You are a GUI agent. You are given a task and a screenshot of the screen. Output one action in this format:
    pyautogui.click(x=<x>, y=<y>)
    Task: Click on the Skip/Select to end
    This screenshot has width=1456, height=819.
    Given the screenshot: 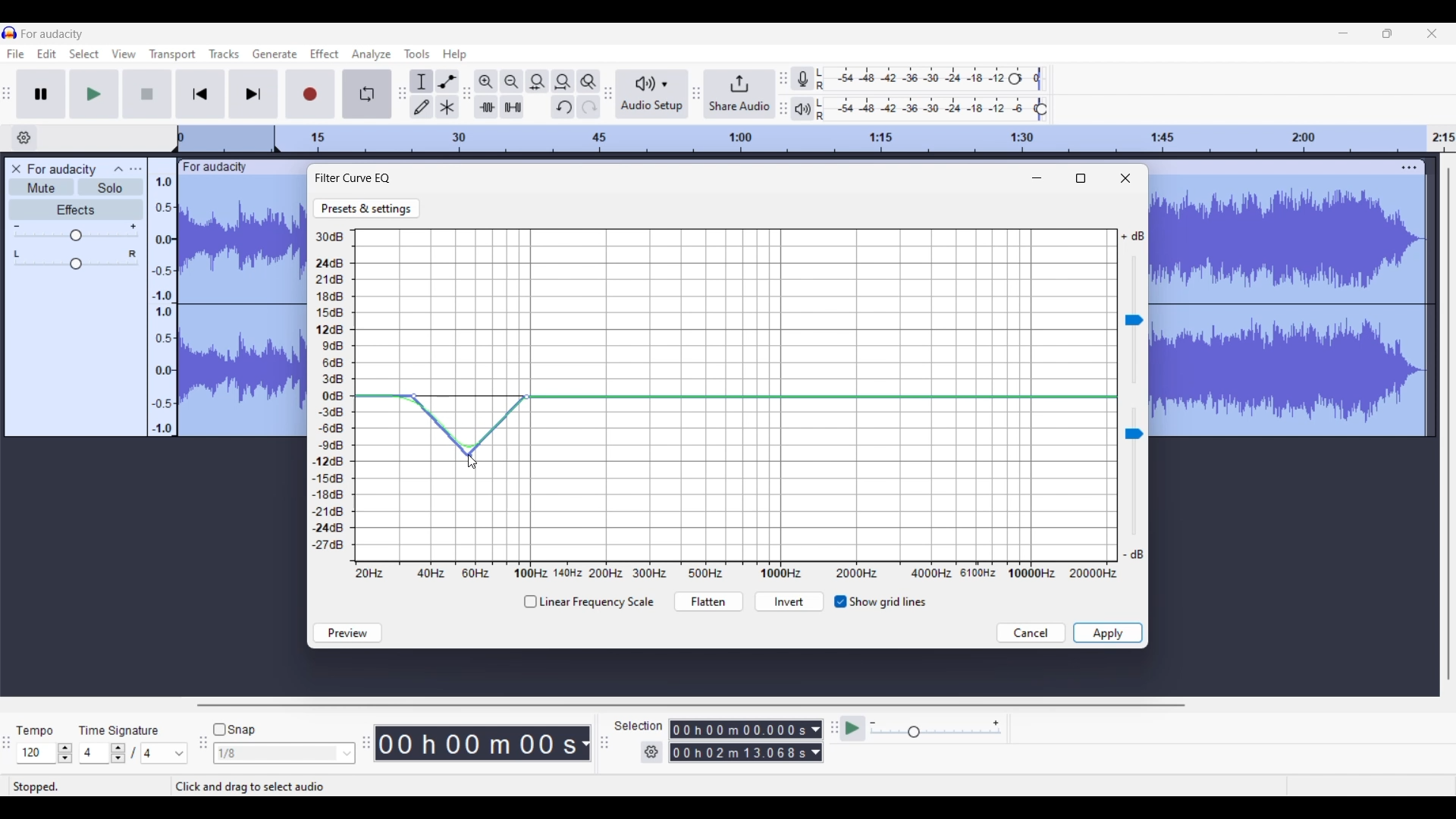 What is the action you would take?
    pyautogui.click(x=254, y=94)
    